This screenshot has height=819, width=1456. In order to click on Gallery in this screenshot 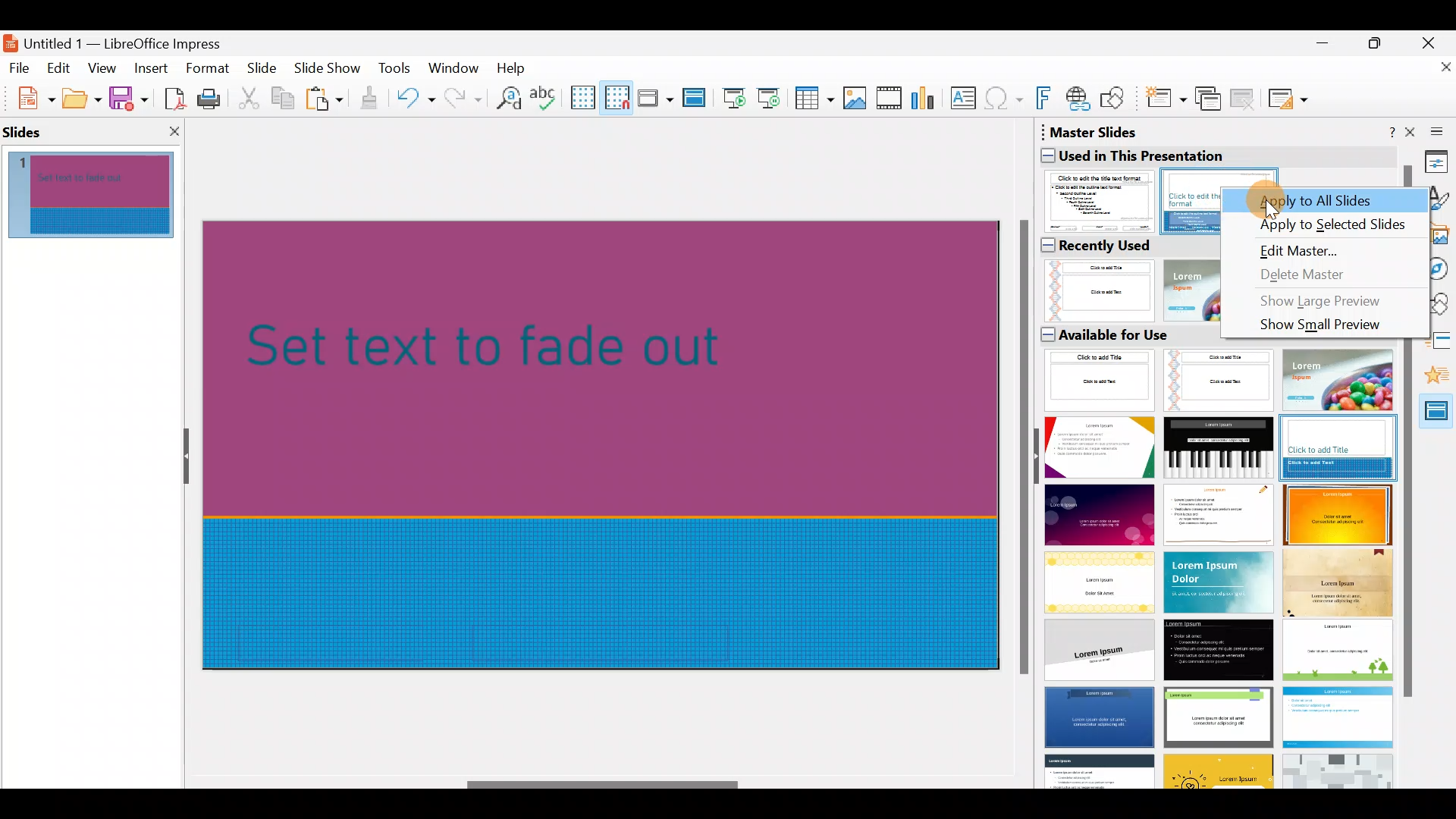, I will do `click(1438, 236)`.